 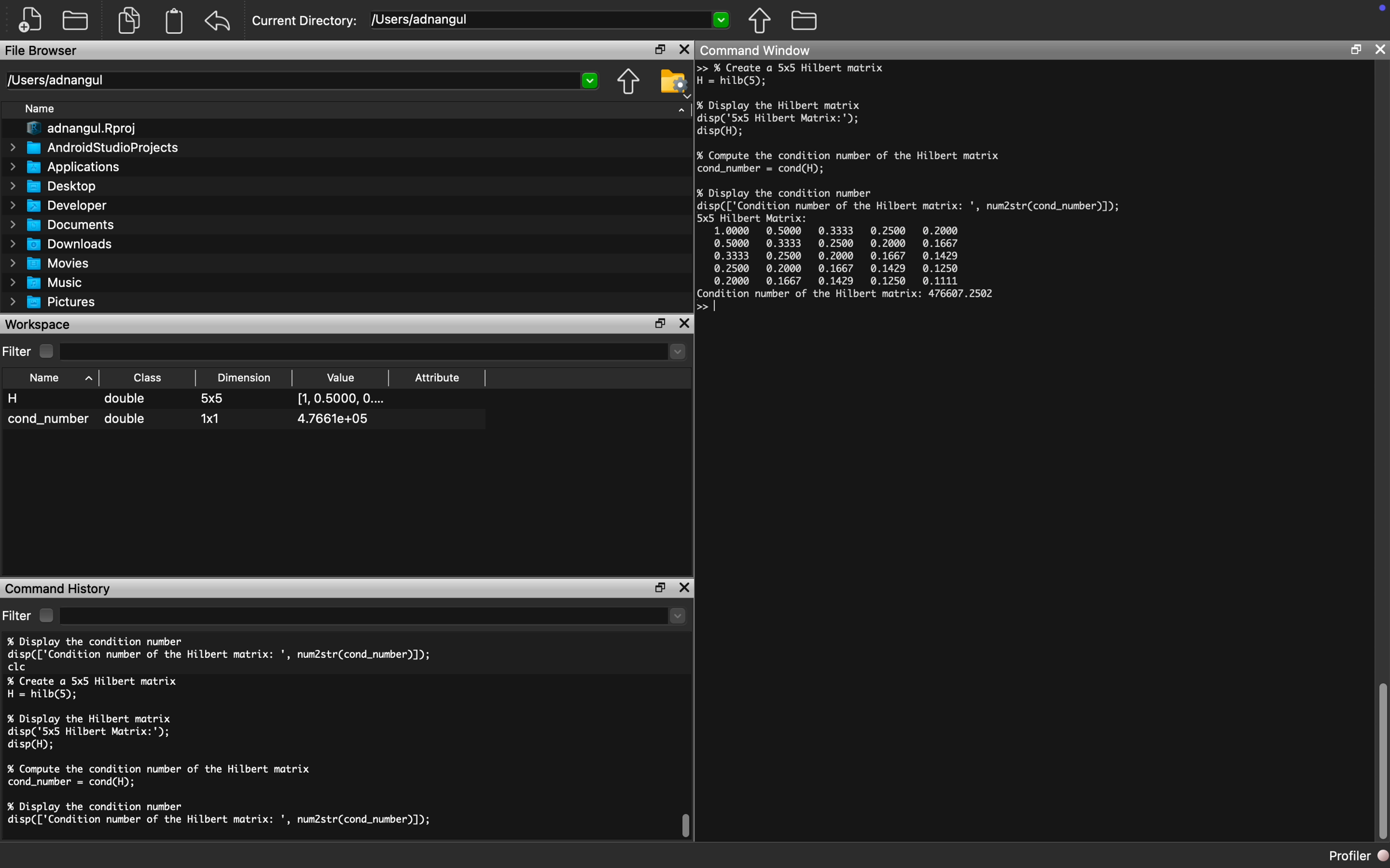 What do you see at coordinates (65, 168) in the screenshot?
I see `Applications` at bounding box center [65, 168].